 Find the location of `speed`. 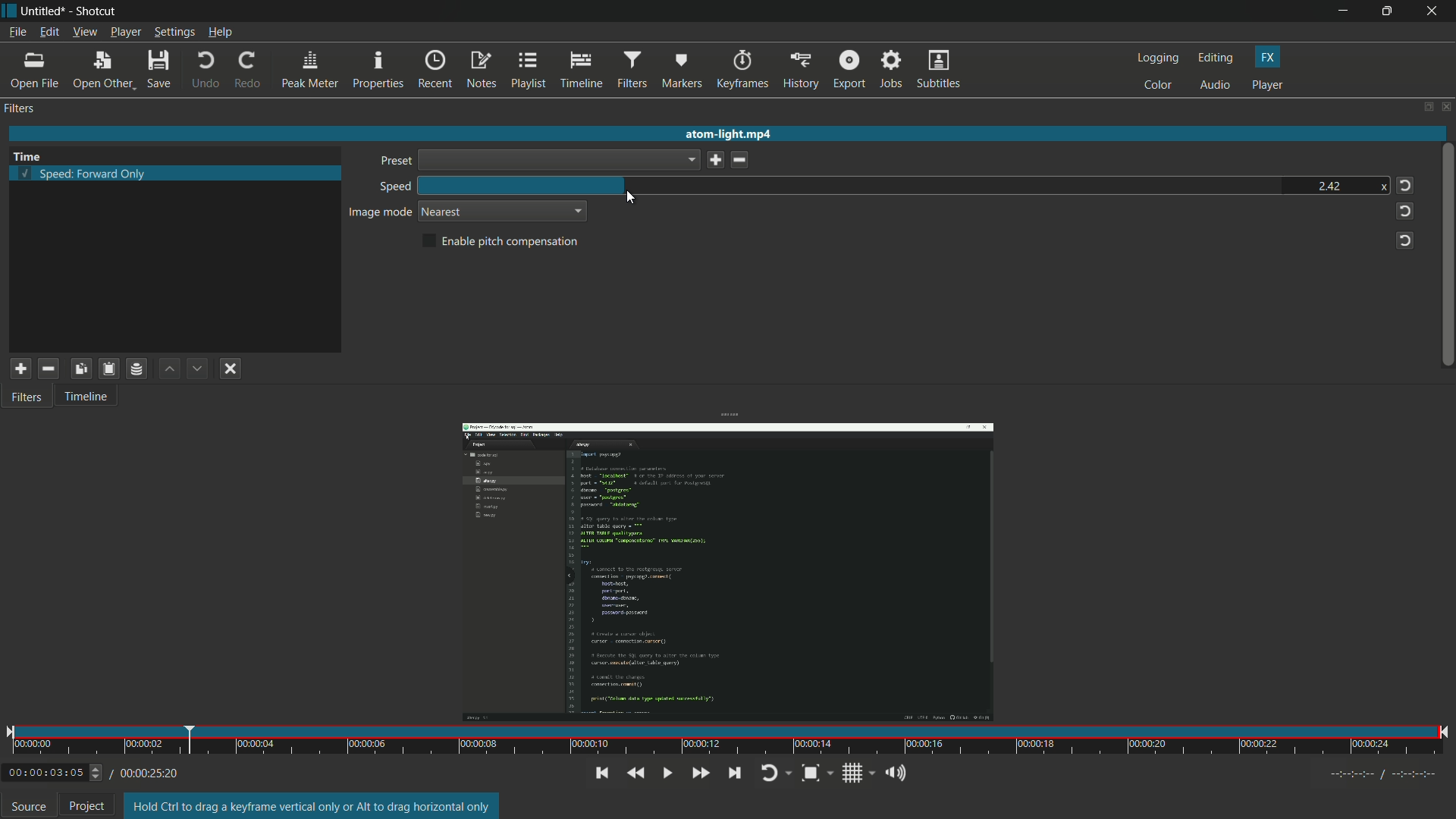

speed is located at coordinates (393, 187).